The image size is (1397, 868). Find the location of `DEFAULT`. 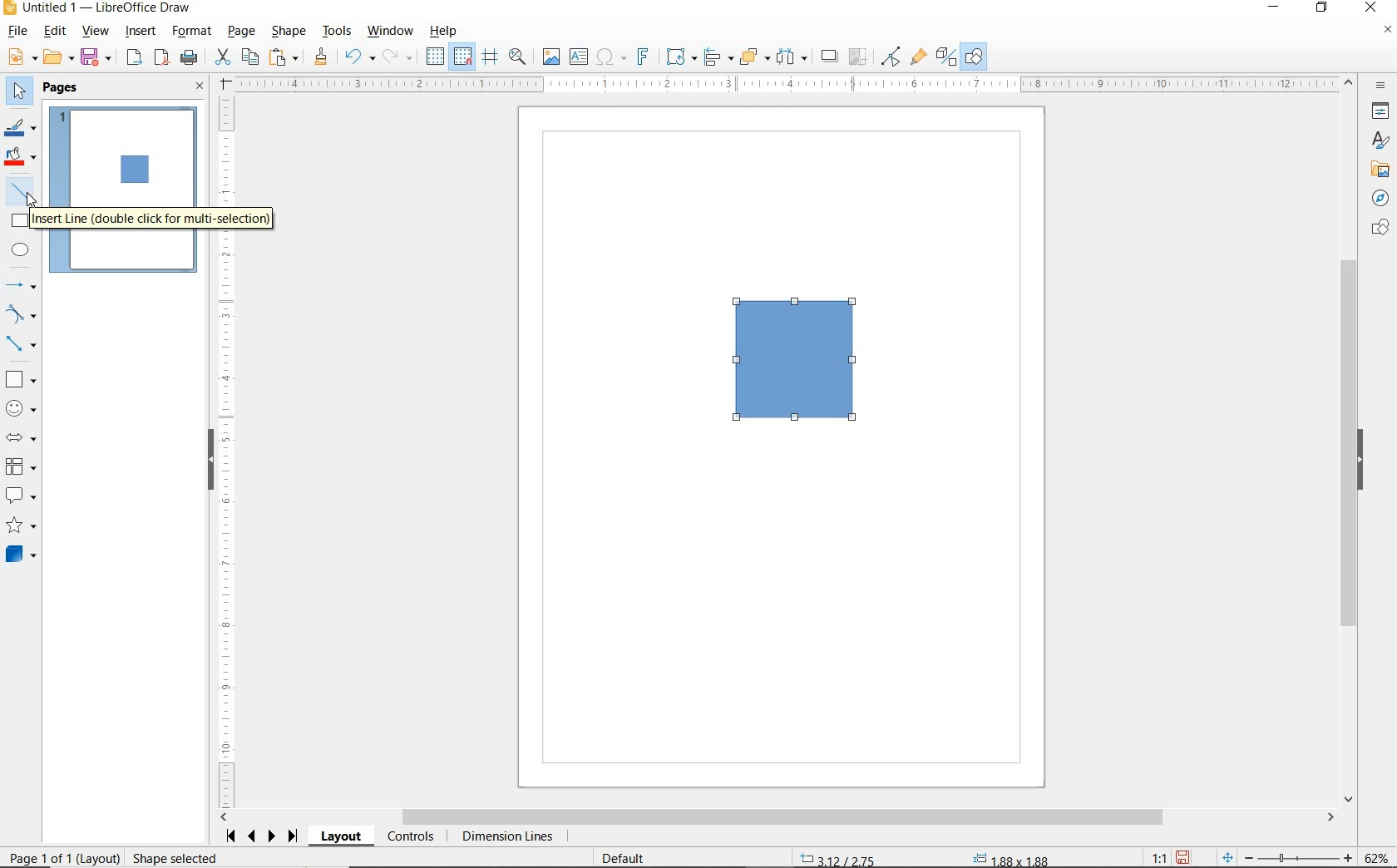

DEFAULT is located at coordinates (629, 859).